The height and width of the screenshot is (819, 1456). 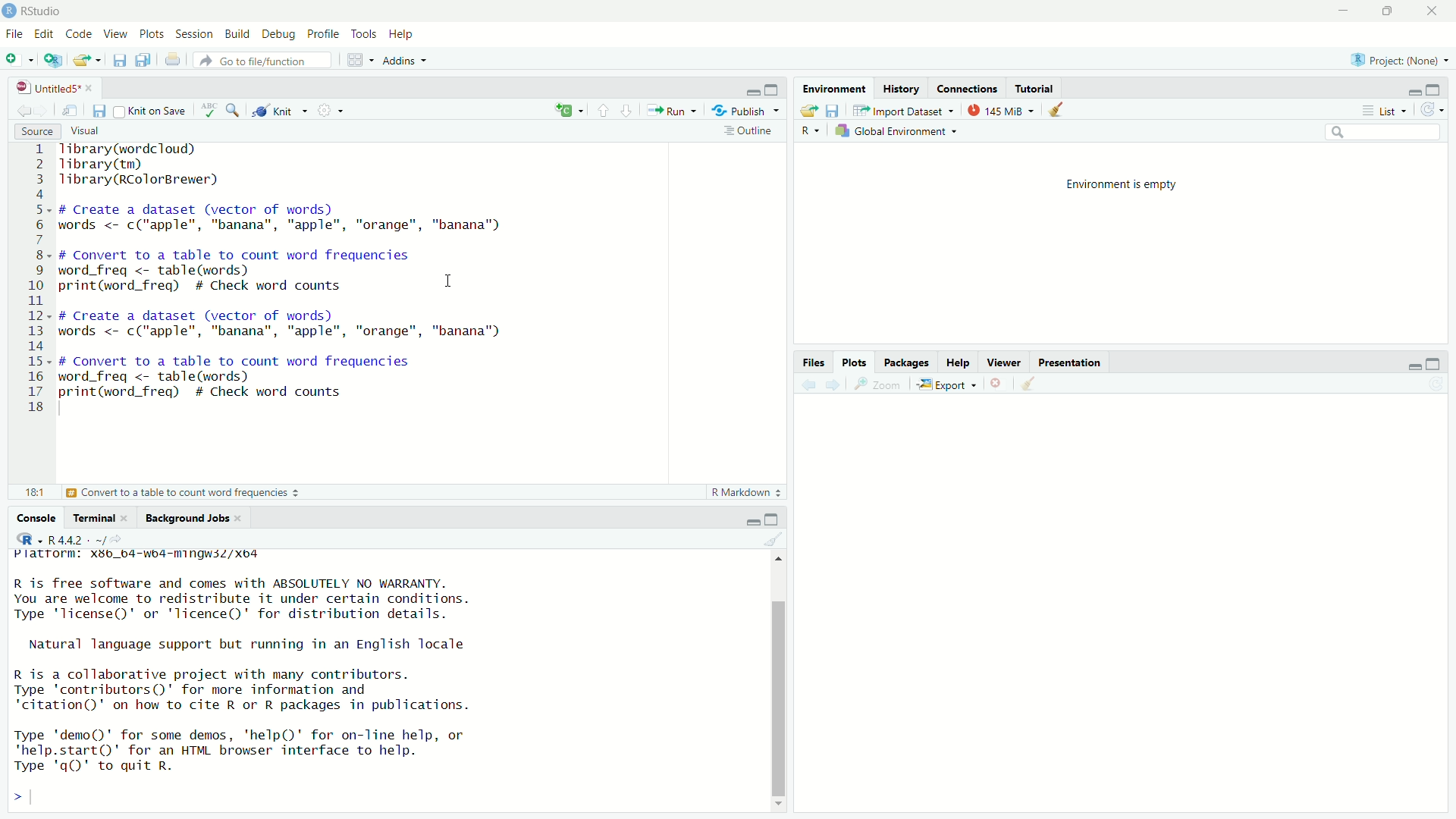 I want to click on Publish, so click(x=746, y=112).